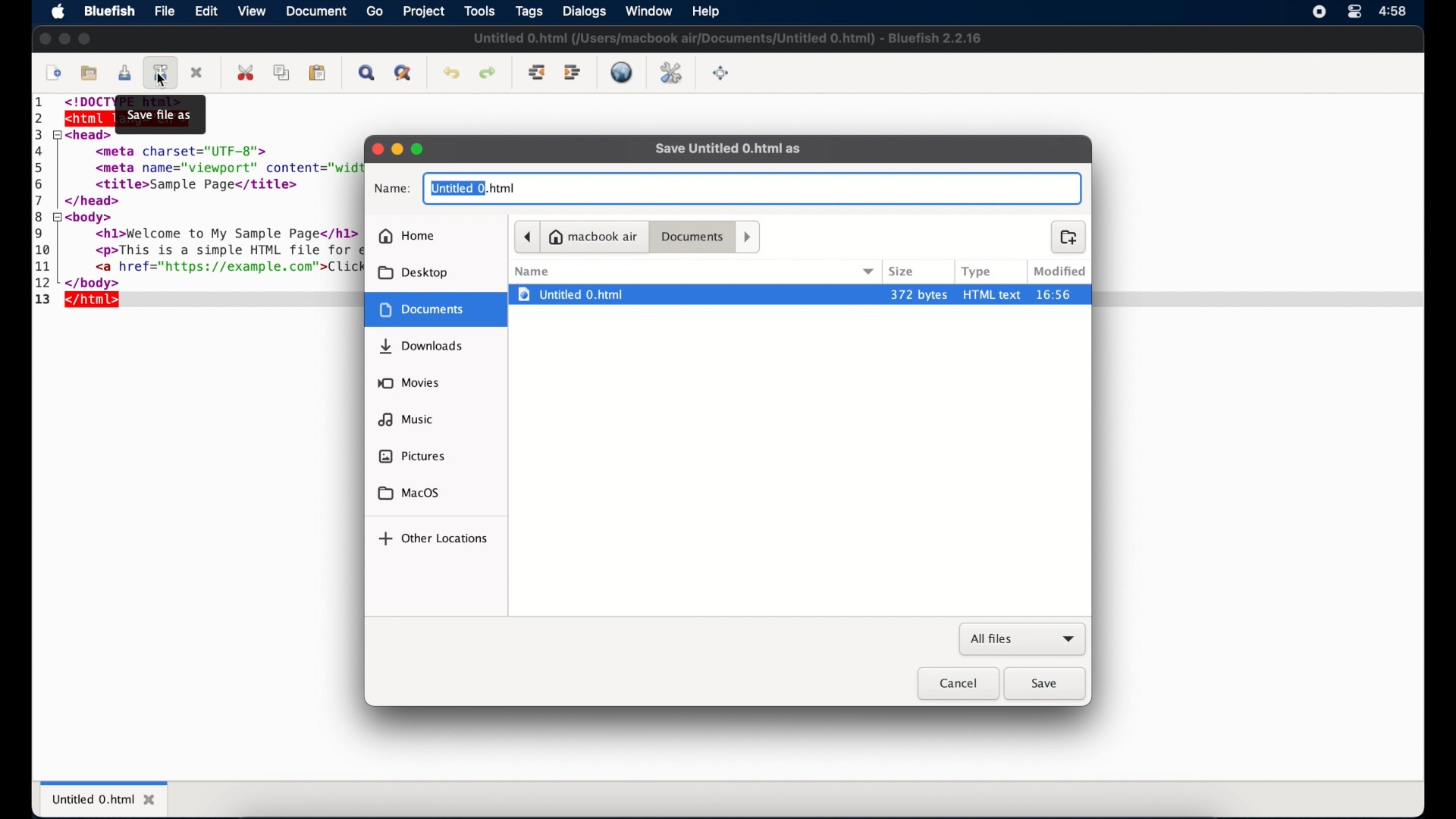 The image size is (1456, 819). Describe the element at coordinates (480, 11) in the screenshot. I see `tools` at that location.